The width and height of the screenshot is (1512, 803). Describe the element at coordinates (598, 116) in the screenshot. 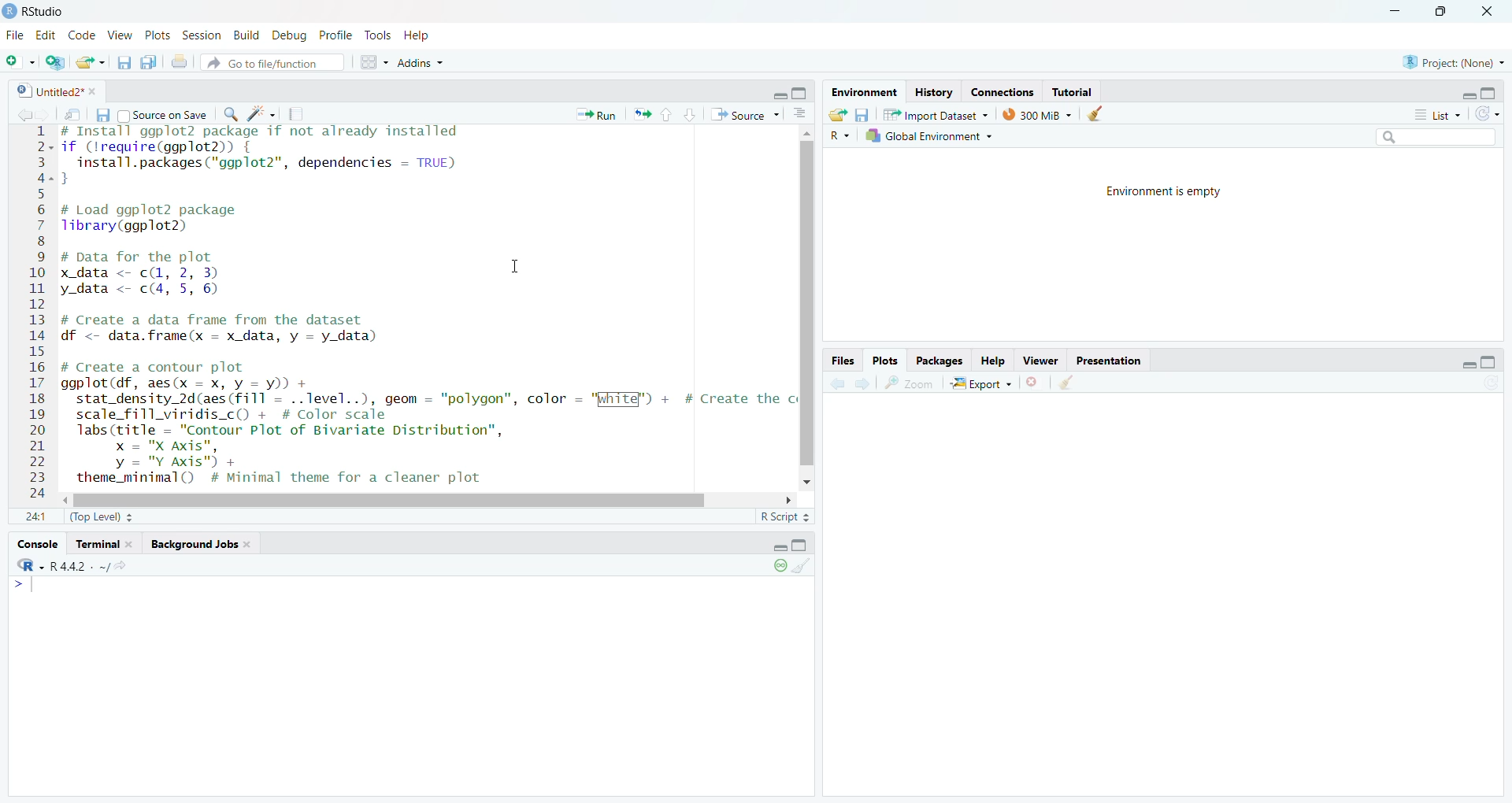

I see ` Run` at that location.